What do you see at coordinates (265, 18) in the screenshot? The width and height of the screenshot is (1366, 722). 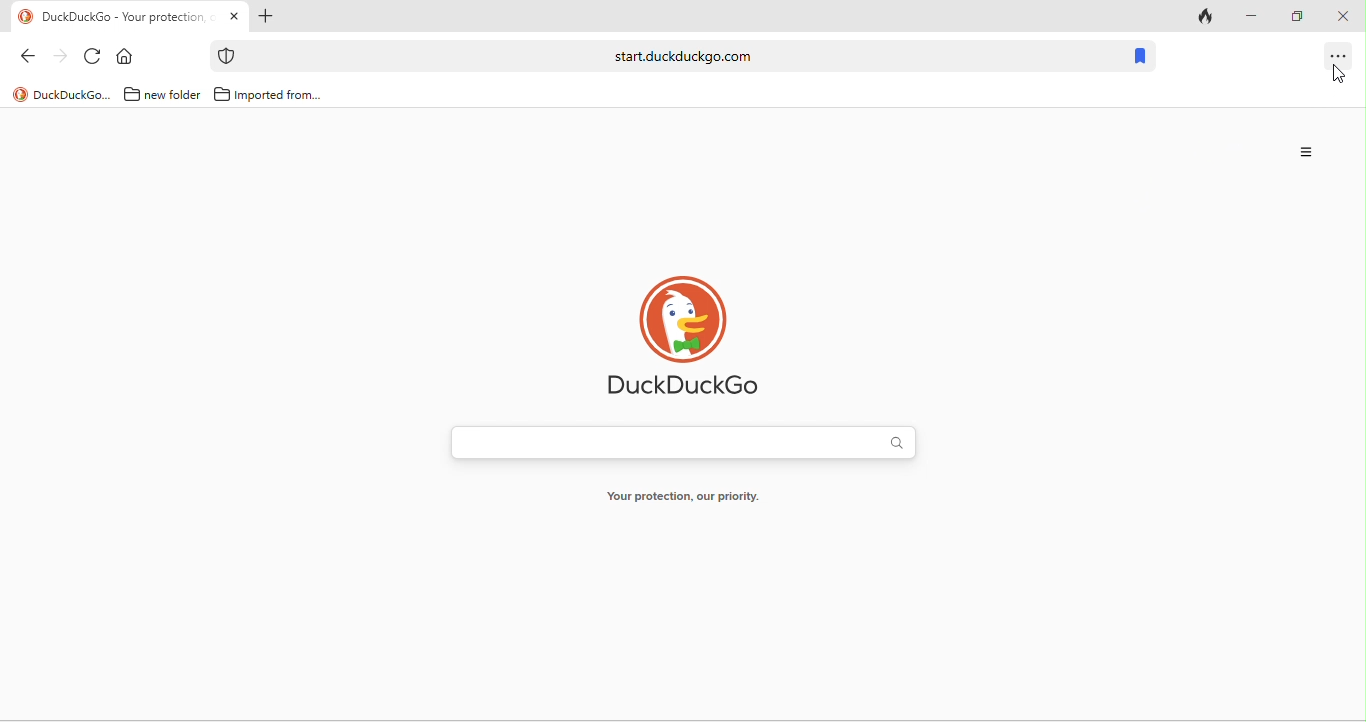 I see `add new tab` at bounding box center [265, 18].